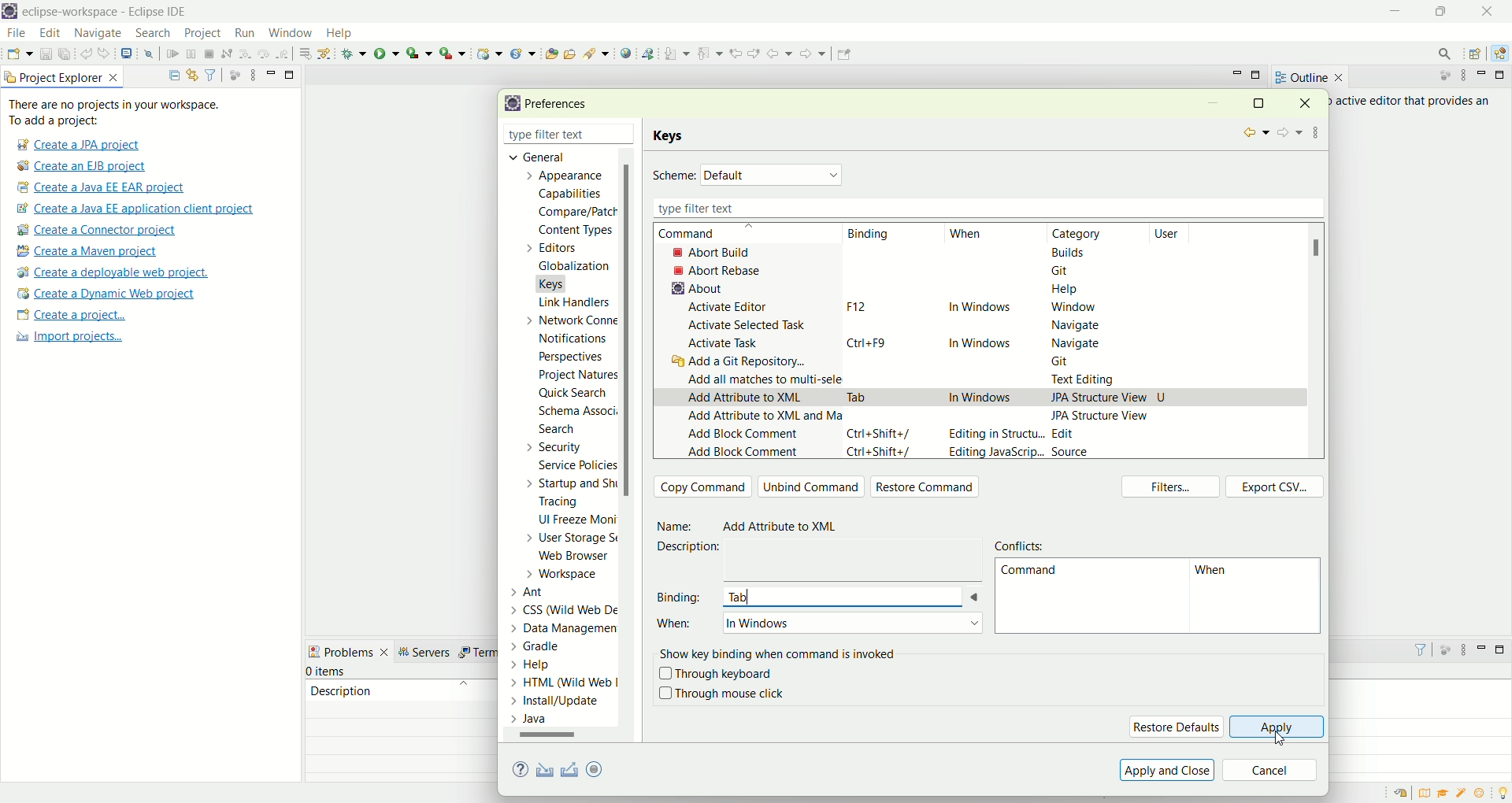 Image resolution: width=1512 pixels, height=803 pixels. Describe the element at coordinates (1258, 76) in the screenshot. I see `maximize` at that location.